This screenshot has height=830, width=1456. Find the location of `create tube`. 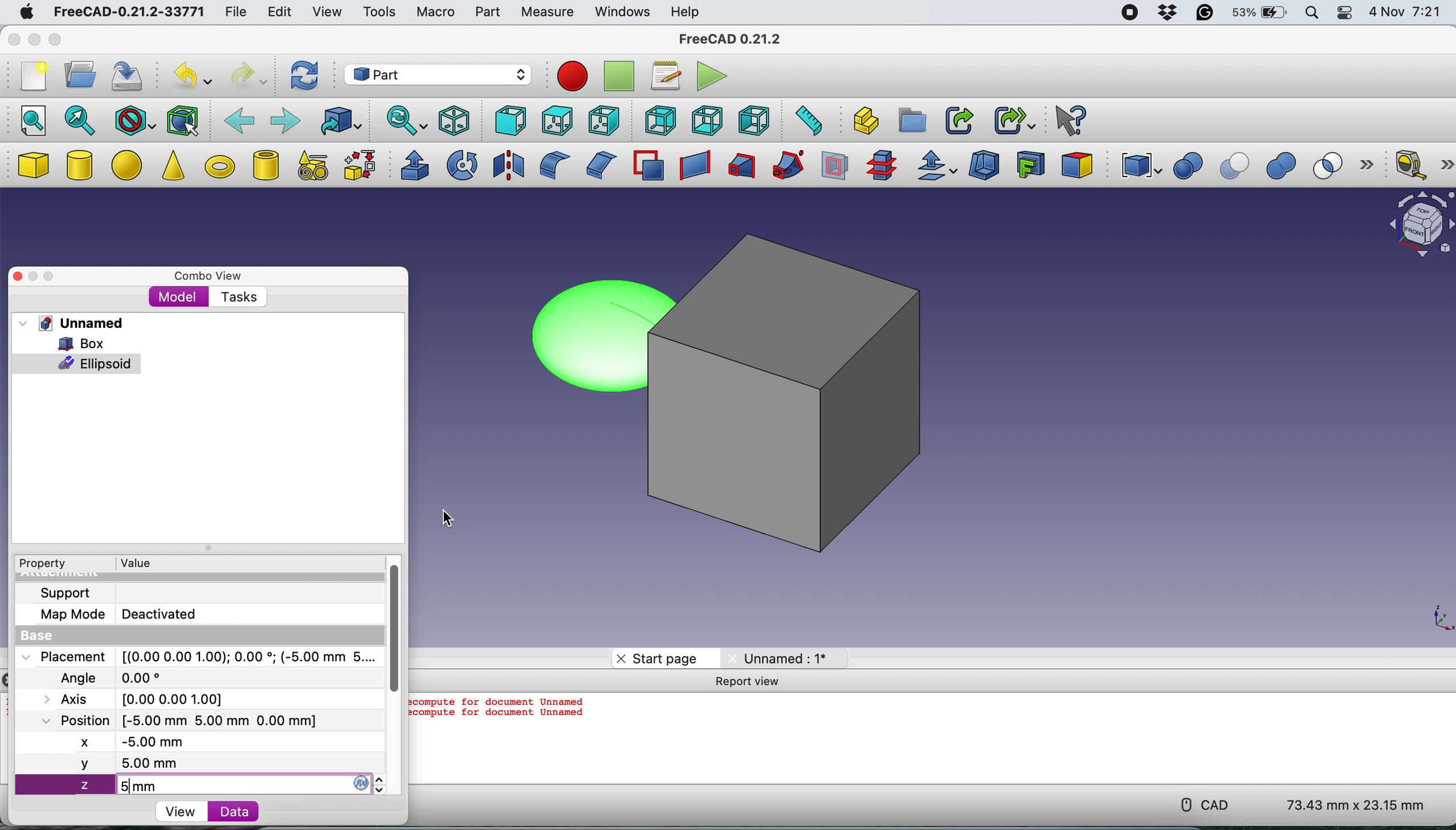

create tube is located at coordinates (265, 165).